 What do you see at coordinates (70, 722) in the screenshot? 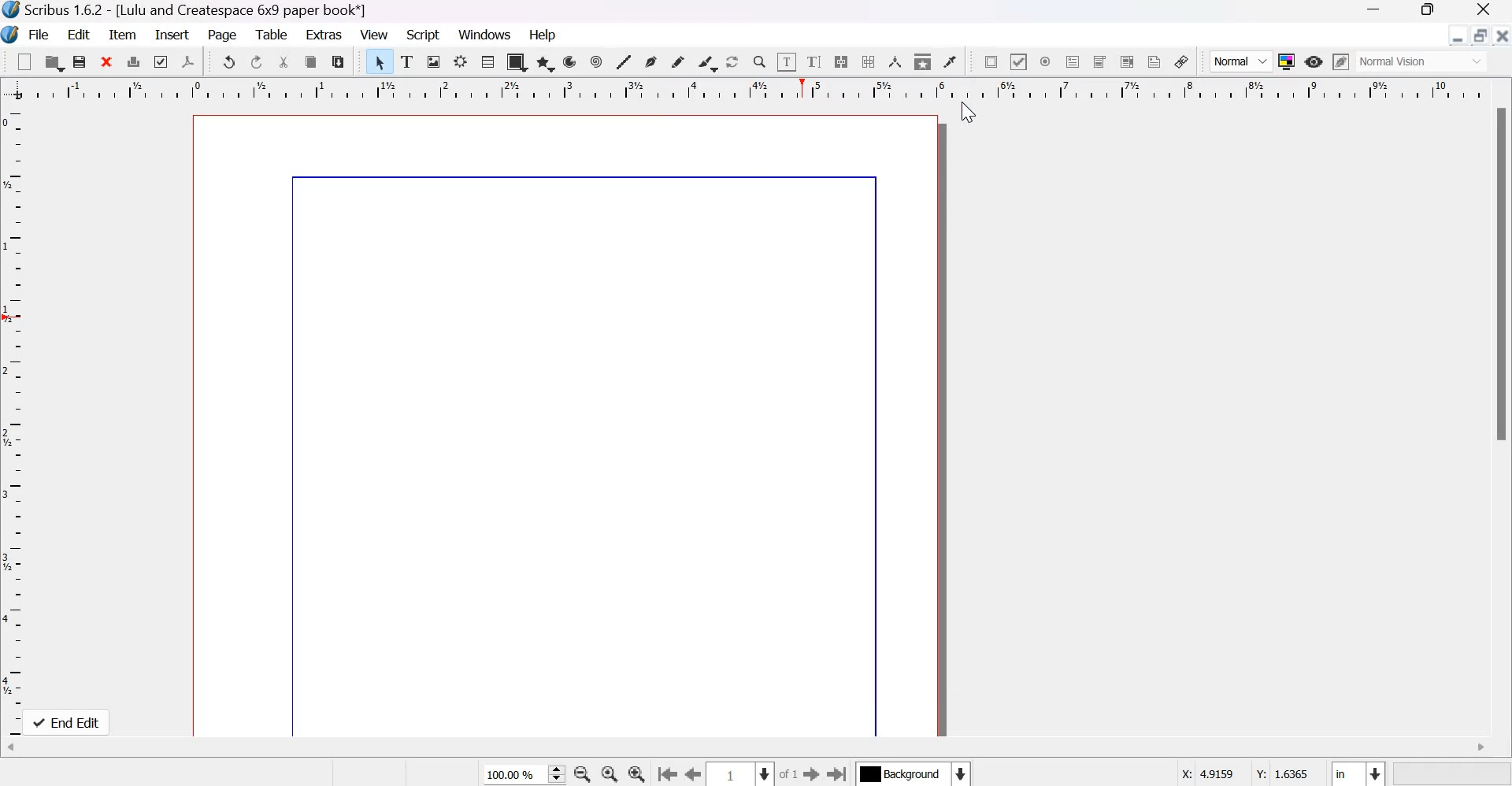
I see `end edit` at bounding box center [70, 722].